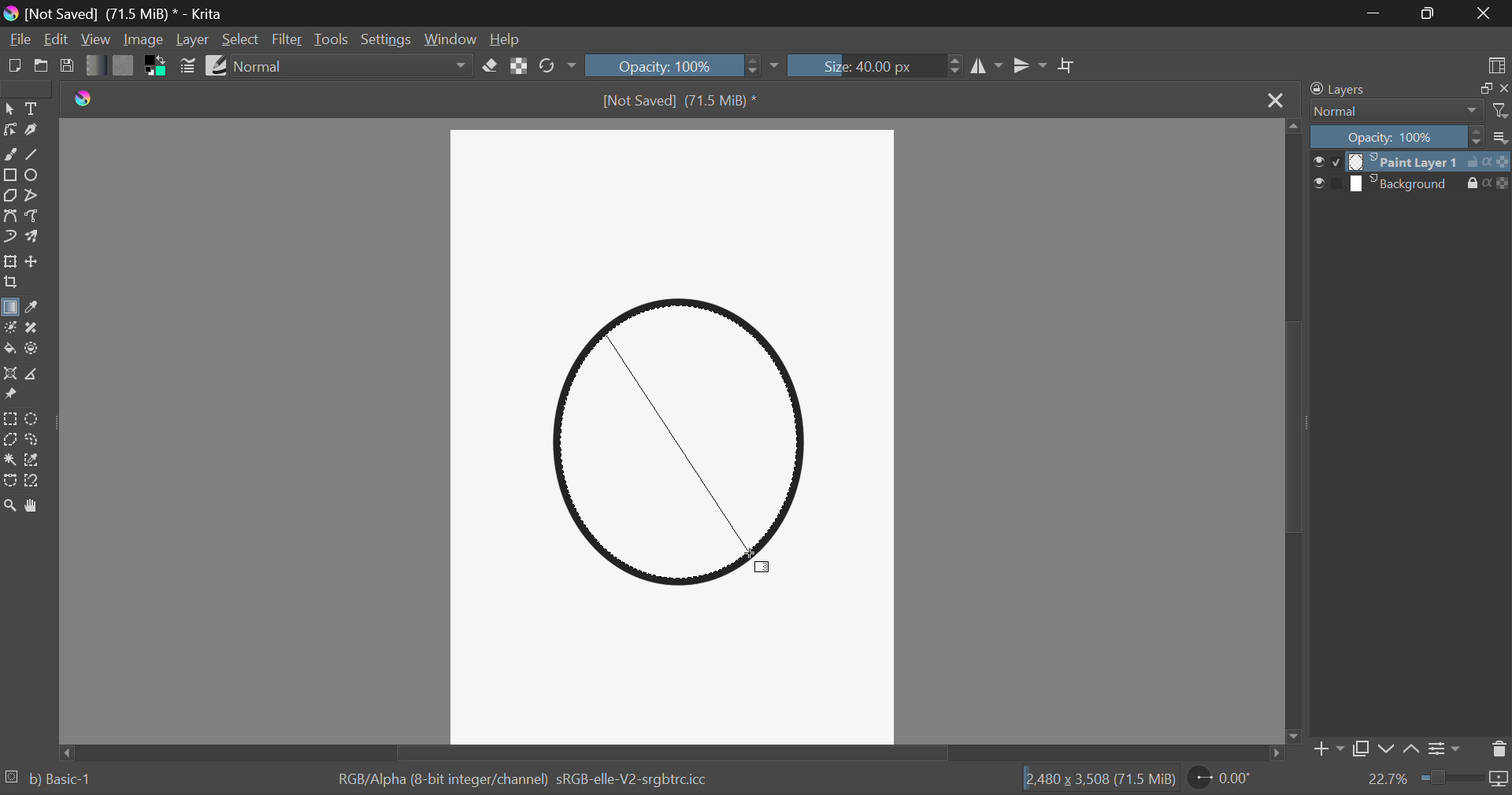 The image size is (1512, 795). Describe the element at coordinates (219, 67) in the screenshot. I see `Brush Presets` at that location.